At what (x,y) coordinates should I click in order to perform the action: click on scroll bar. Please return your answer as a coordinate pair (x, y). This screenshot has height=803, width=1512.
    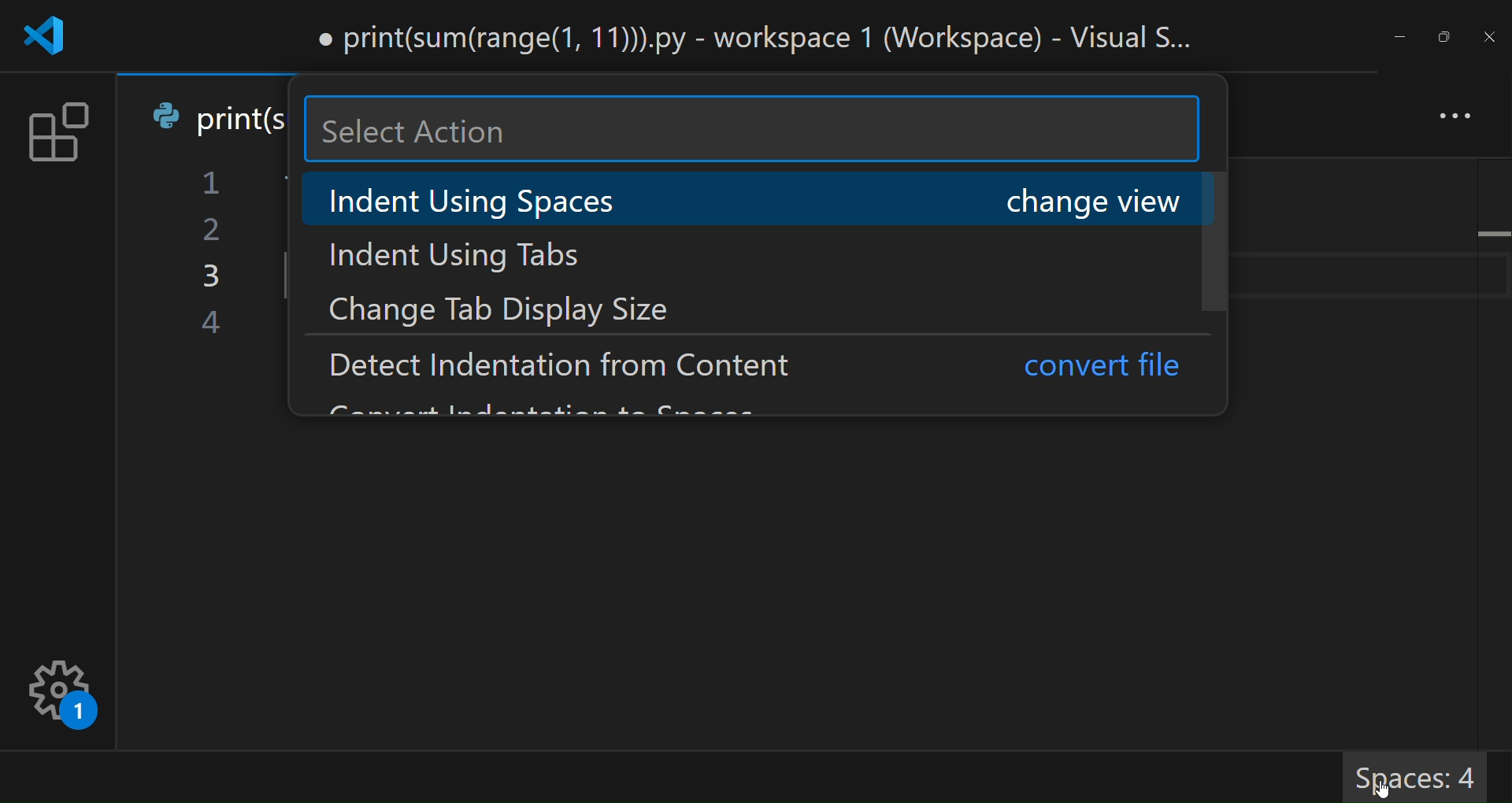
    Looking at the image, I should click on (1491, 413).